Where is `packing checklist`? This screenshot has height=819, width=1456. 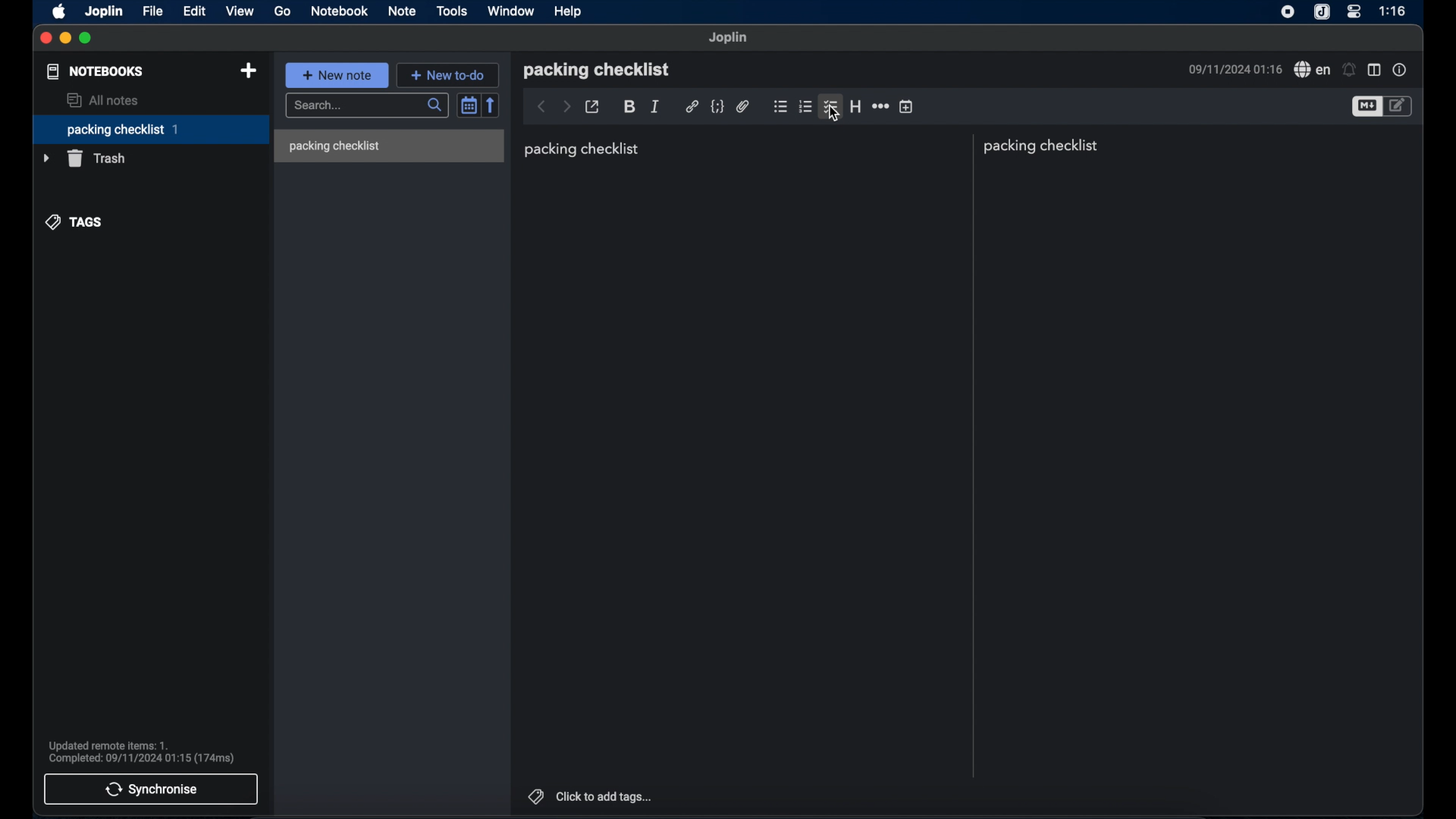 packing checklist is located at coordinates (150, 130).